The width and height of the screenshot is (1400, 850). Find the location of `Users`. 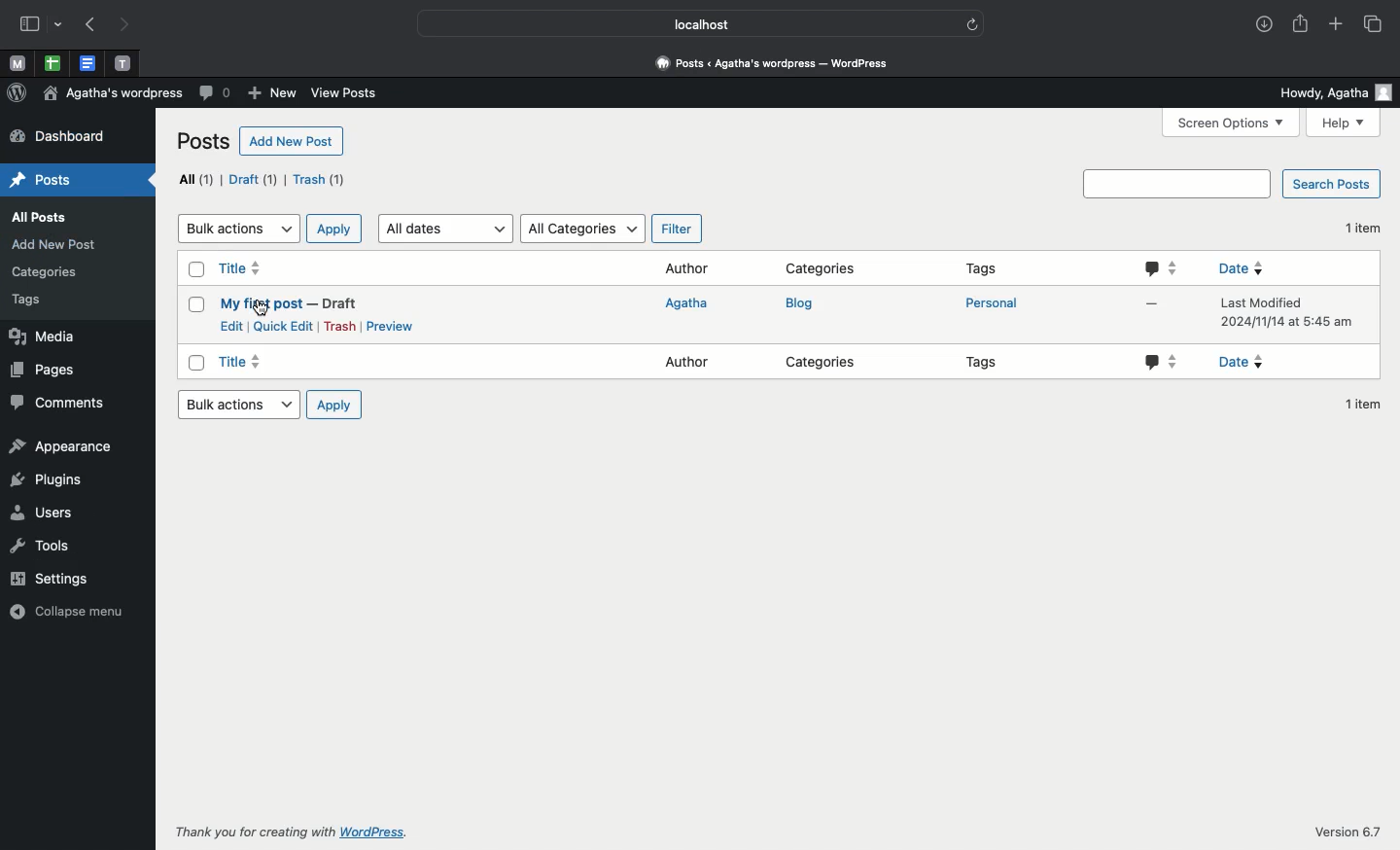

Users is located at coordinates (45, 514).